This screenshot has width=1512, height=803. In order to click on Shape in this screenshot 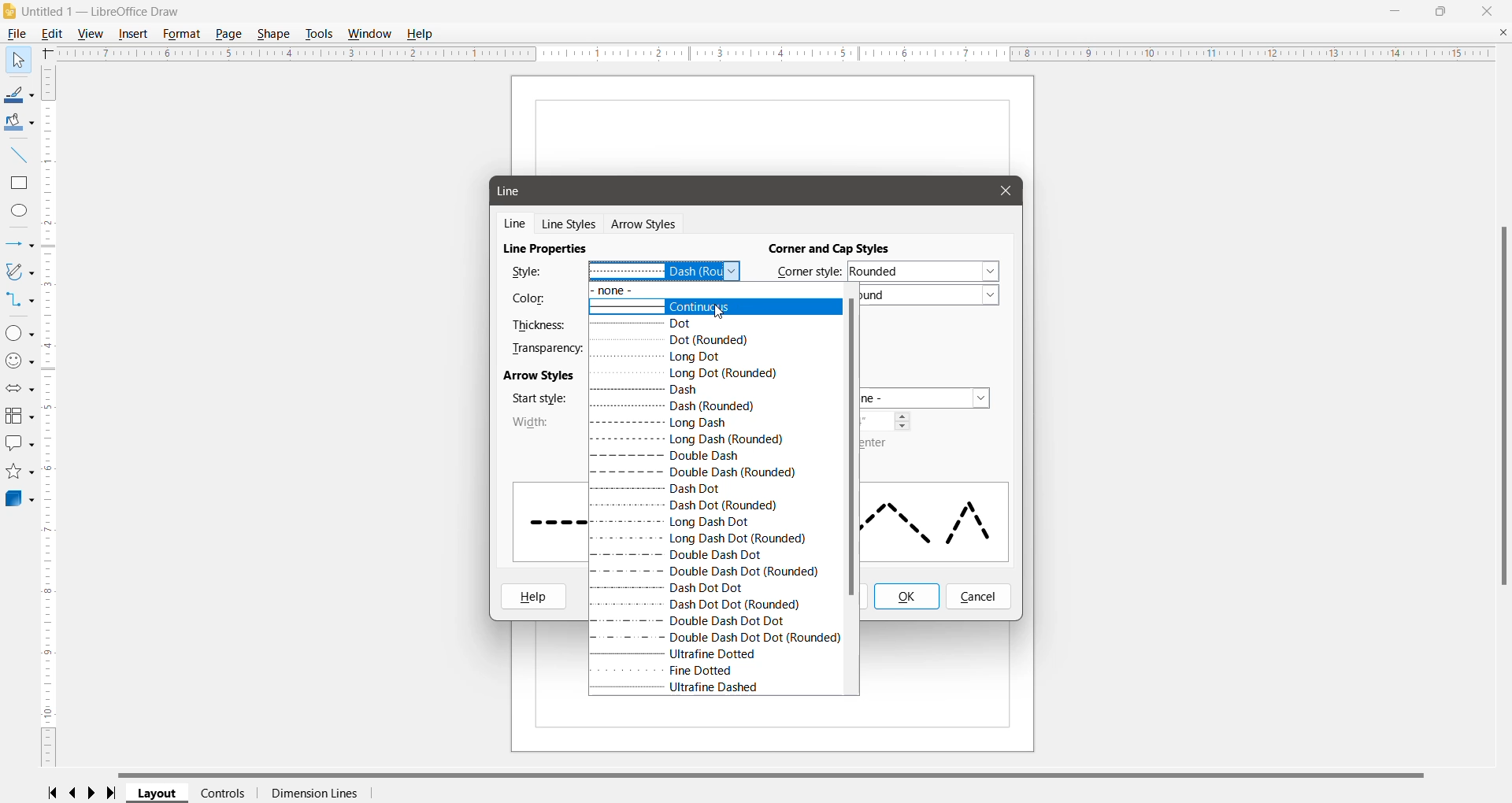, I will do `click(275, 35)`.